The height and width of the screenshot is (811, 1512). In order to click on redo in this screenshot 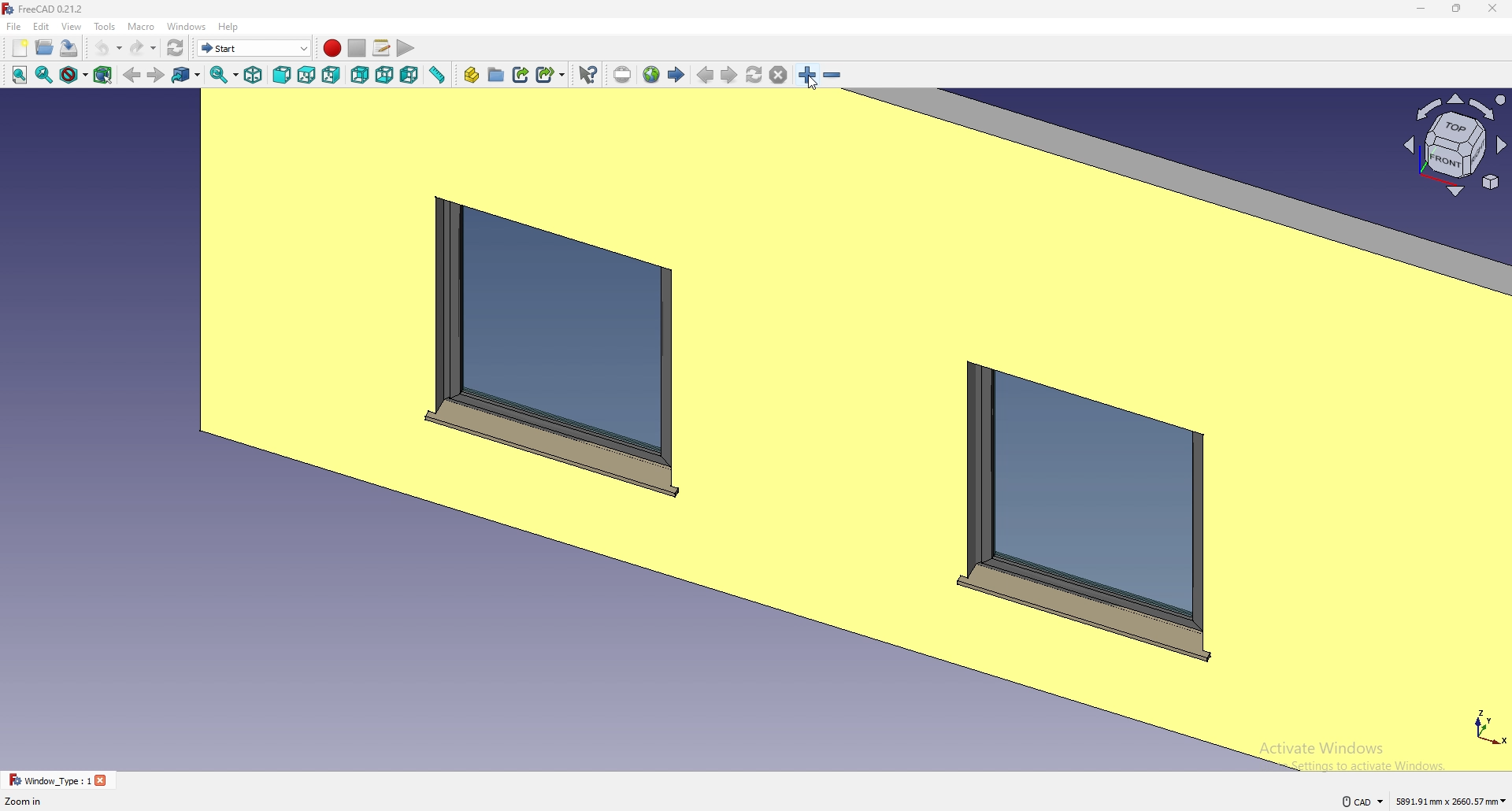, I will do `click(143, 48)`.